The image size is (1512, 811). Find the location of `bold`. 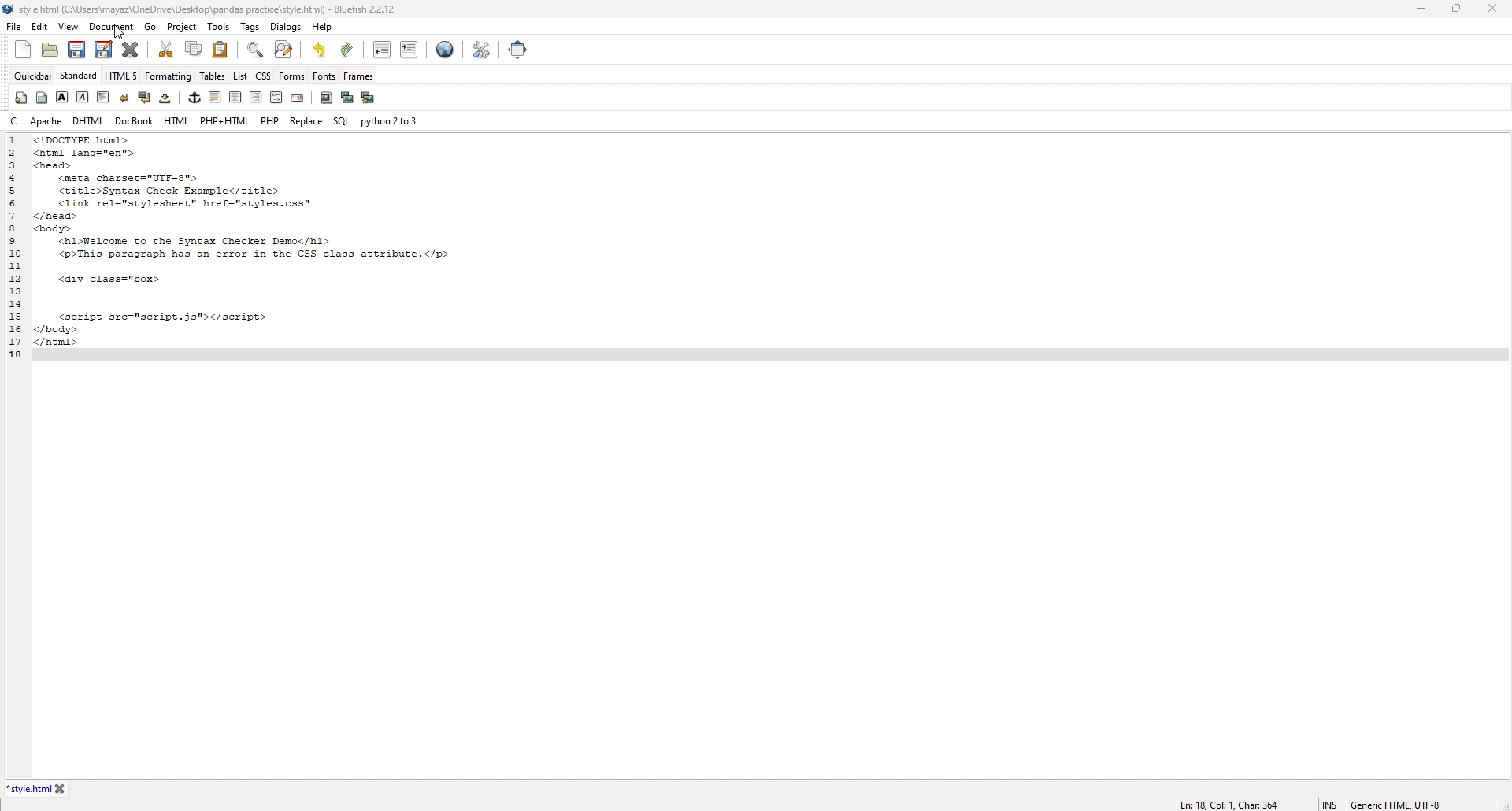

bold is located at coordinates (61, 98).